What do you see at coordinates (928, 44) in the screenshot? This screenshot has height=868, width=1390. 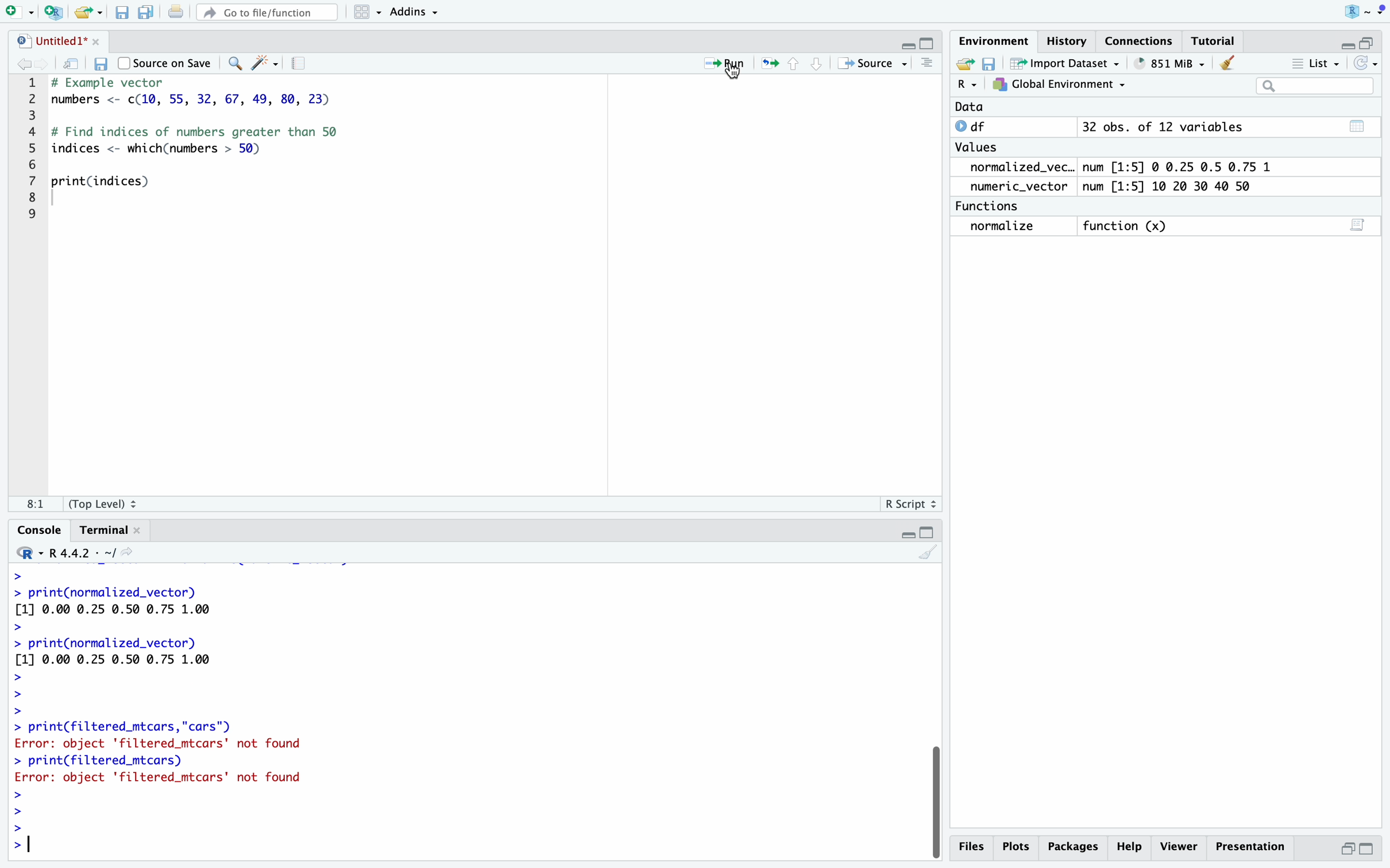 I see `MAXIMISE` at bounding box center [928, 44].